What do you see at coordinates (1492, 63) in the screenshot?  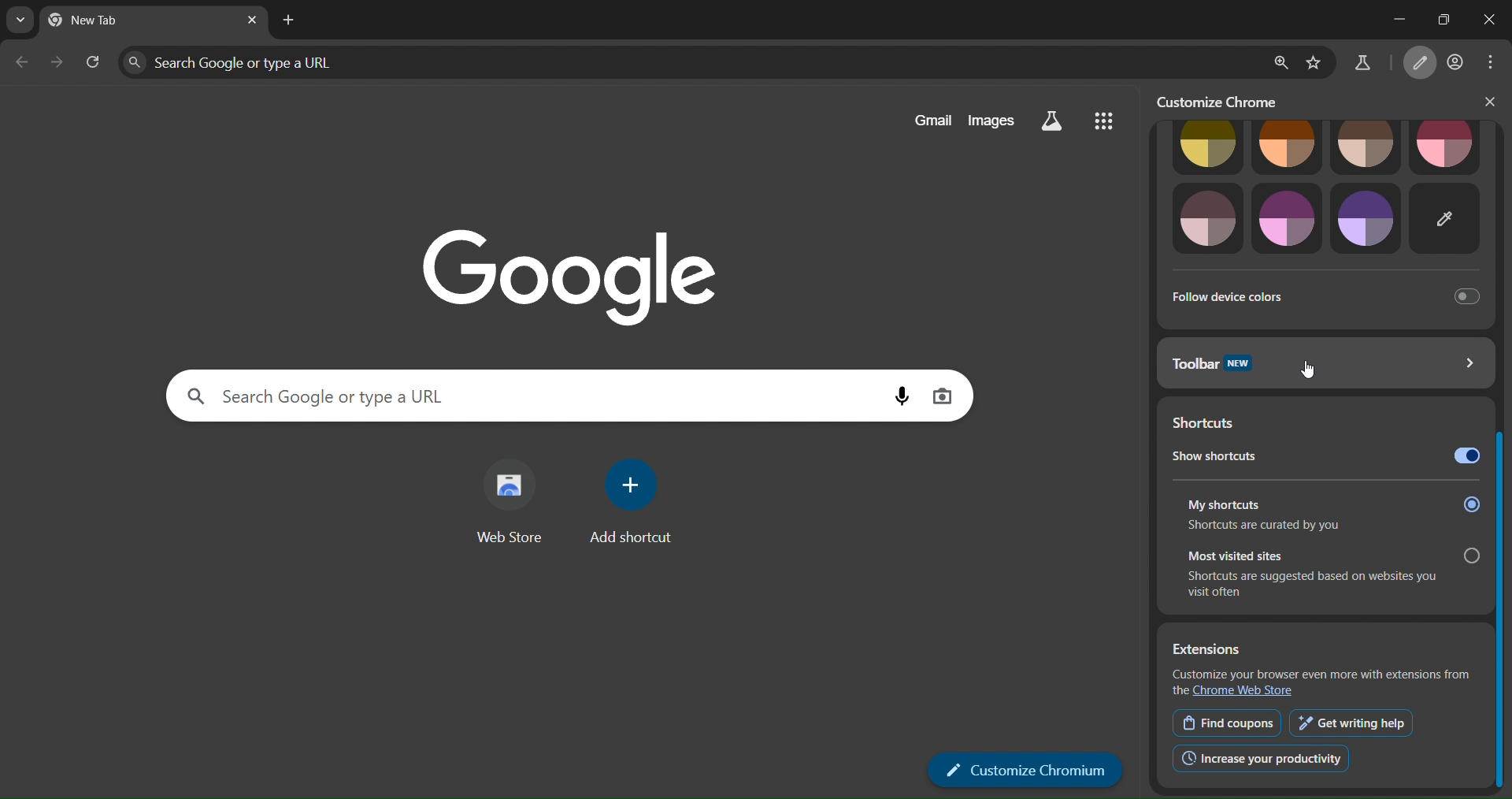 I see `menu` at bounding box center [1492, 63].